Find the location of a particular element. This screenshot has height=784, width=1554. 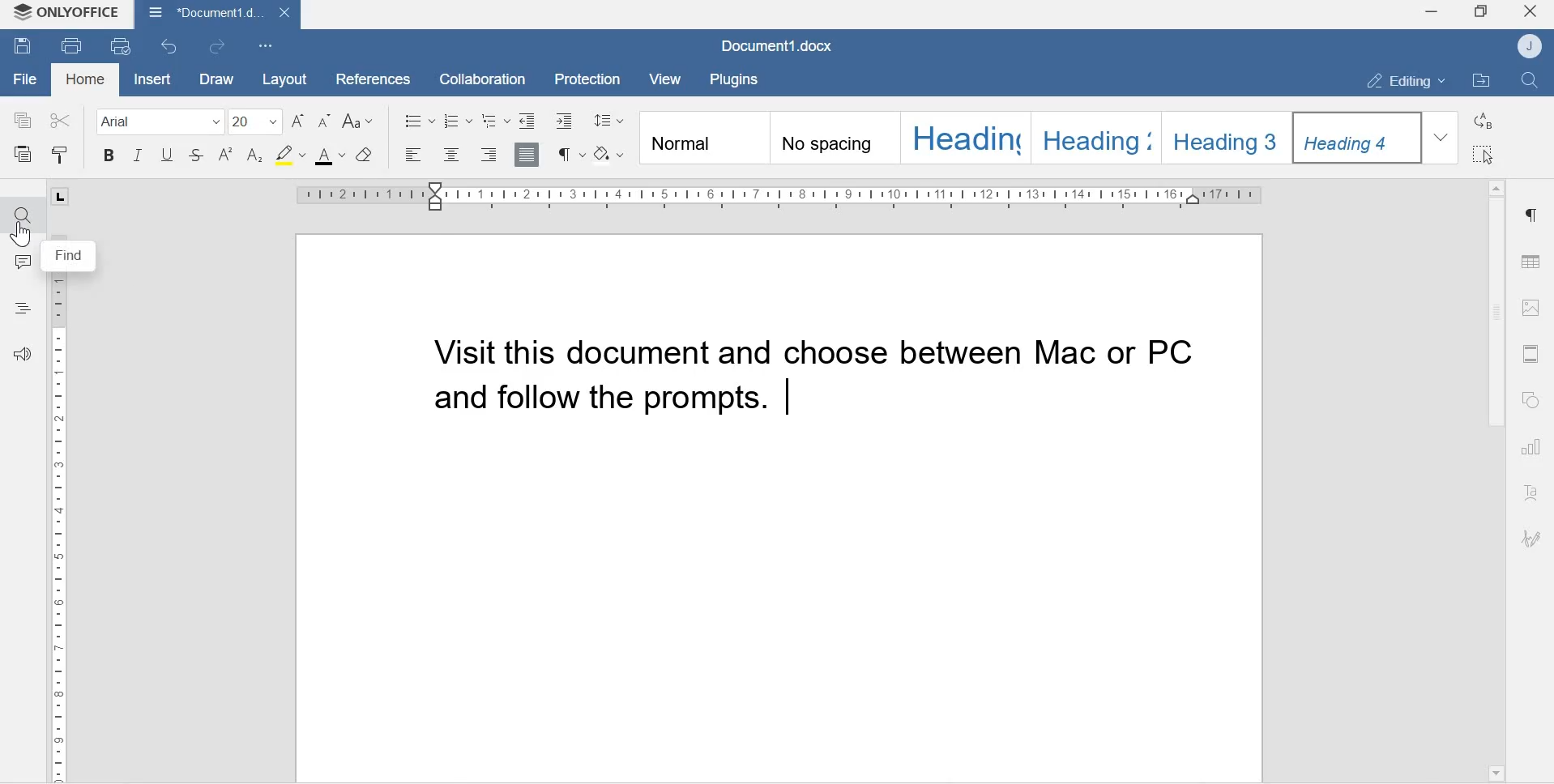

Onlyoffice is located at coordinates (67, 14).